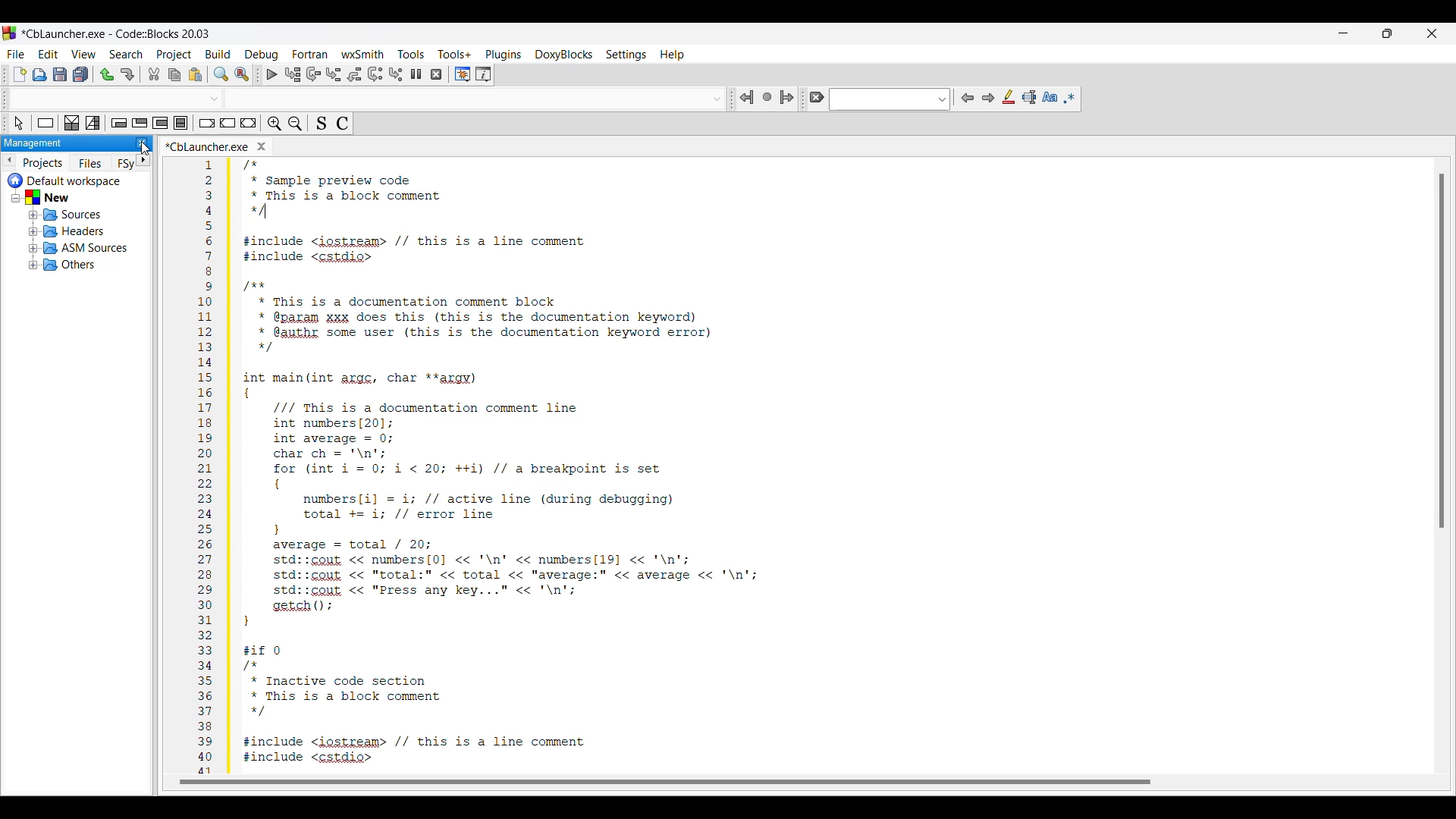 This screenshot has height=819, width=1456. Describe the element at coordinates (747, 97) in the screenshot. I see `Jump back` at that location.